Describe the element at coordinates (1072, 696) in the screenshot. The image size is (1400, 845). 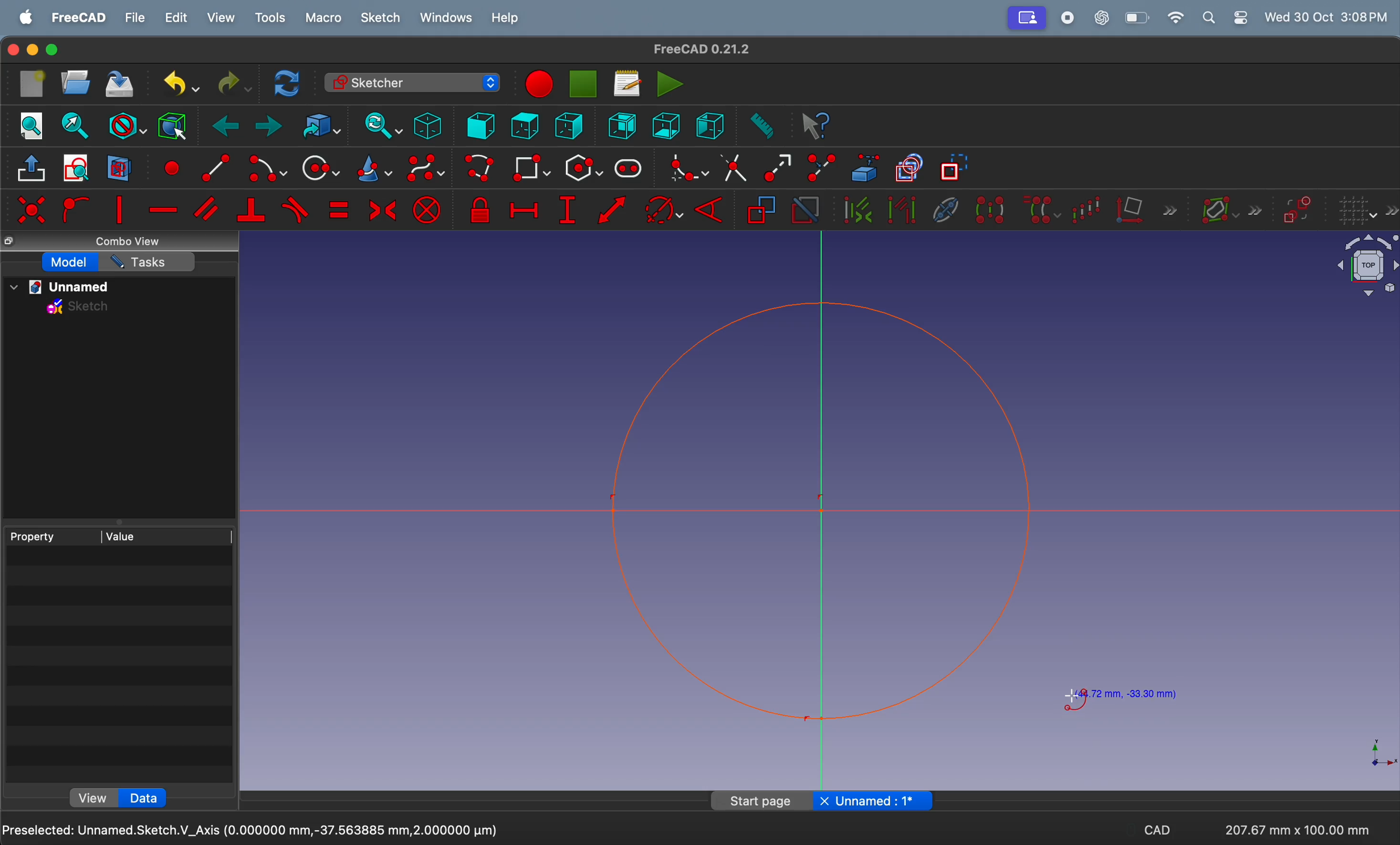
I see `cursor` at that location.